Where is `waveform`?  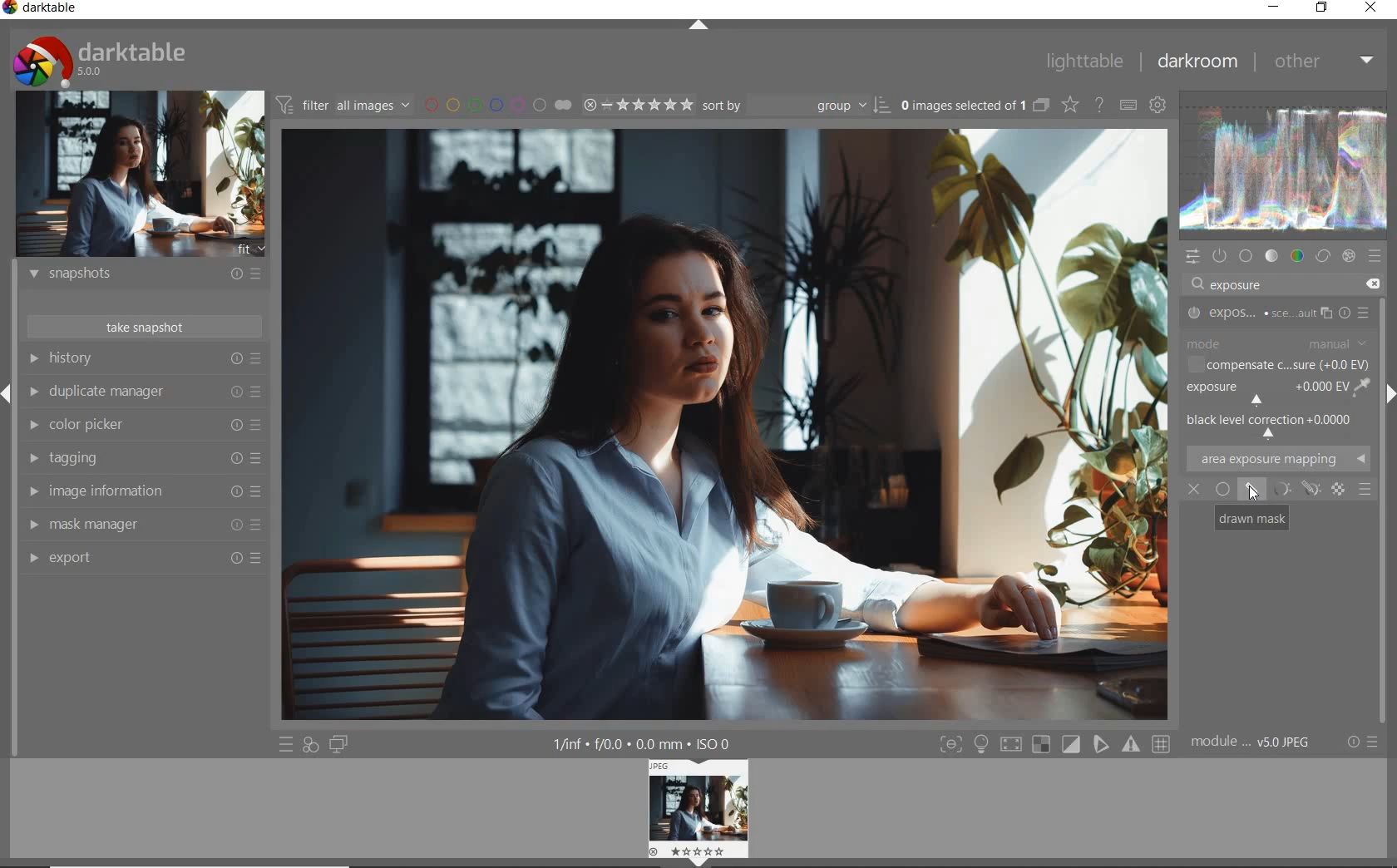
waveform is located at coordinates (1286, 169).